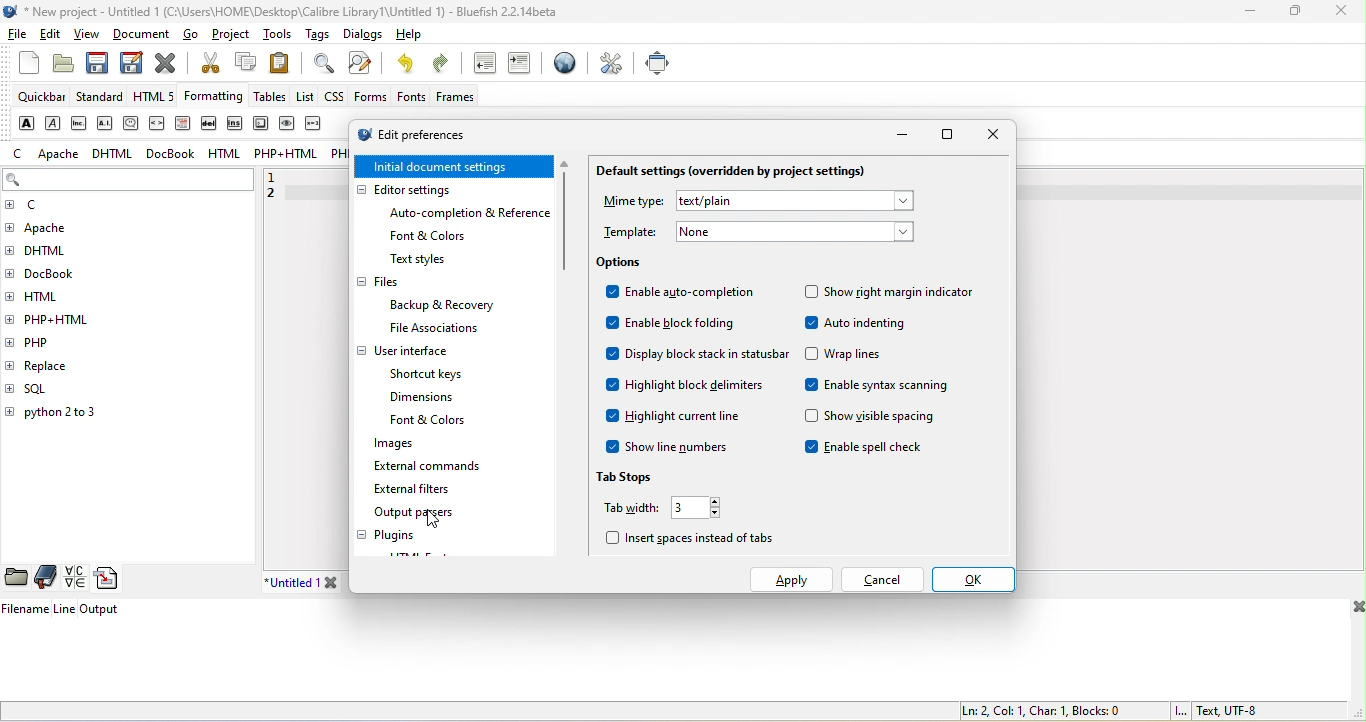  What do you see at coordinates (884, 388) in the screenshot?
I see `enable syntax scaning` at bounding box center [884, 388].